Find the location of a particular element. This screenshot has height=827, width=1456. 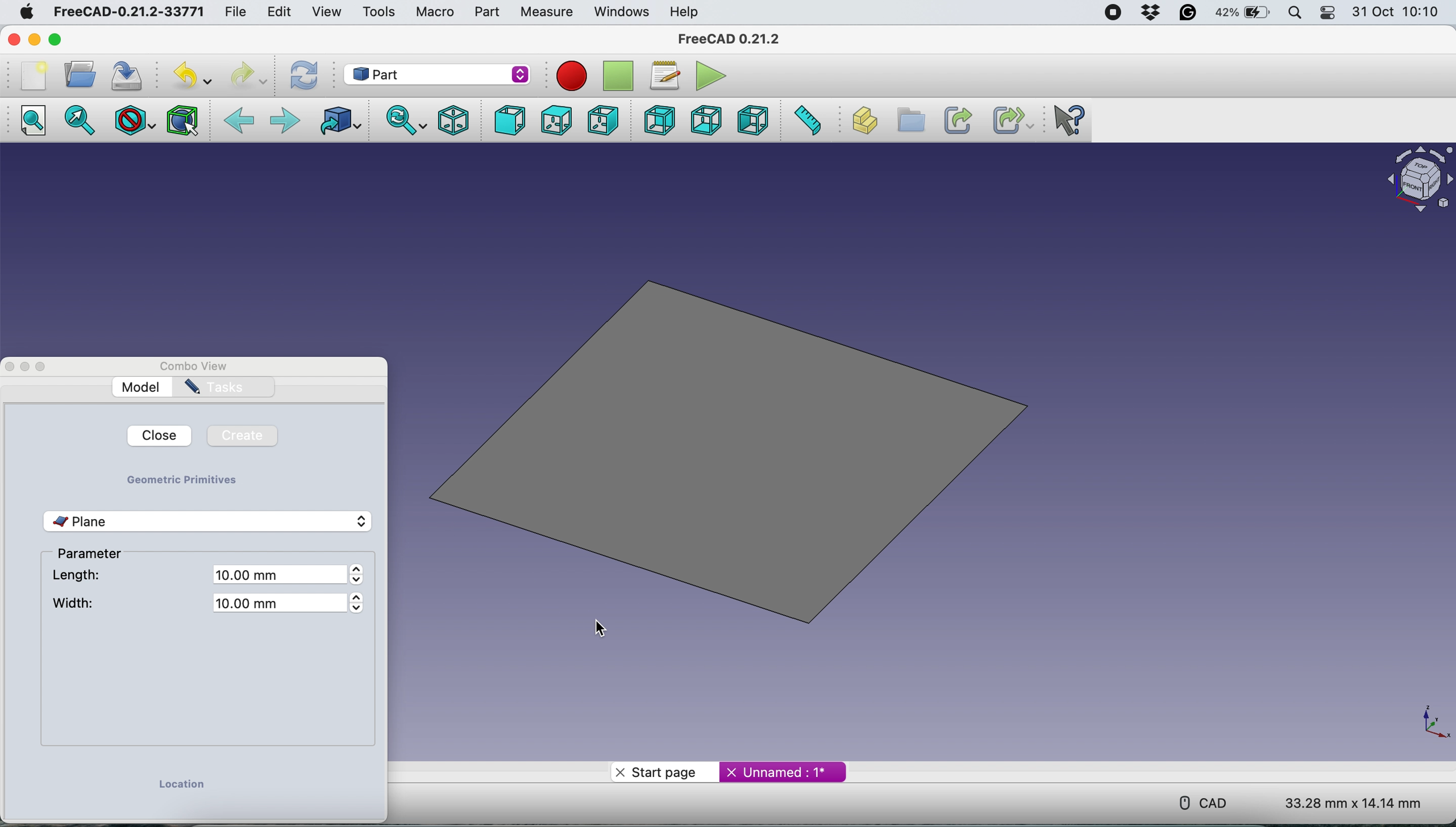

10.00 mm is located at coordinates (286, 606).